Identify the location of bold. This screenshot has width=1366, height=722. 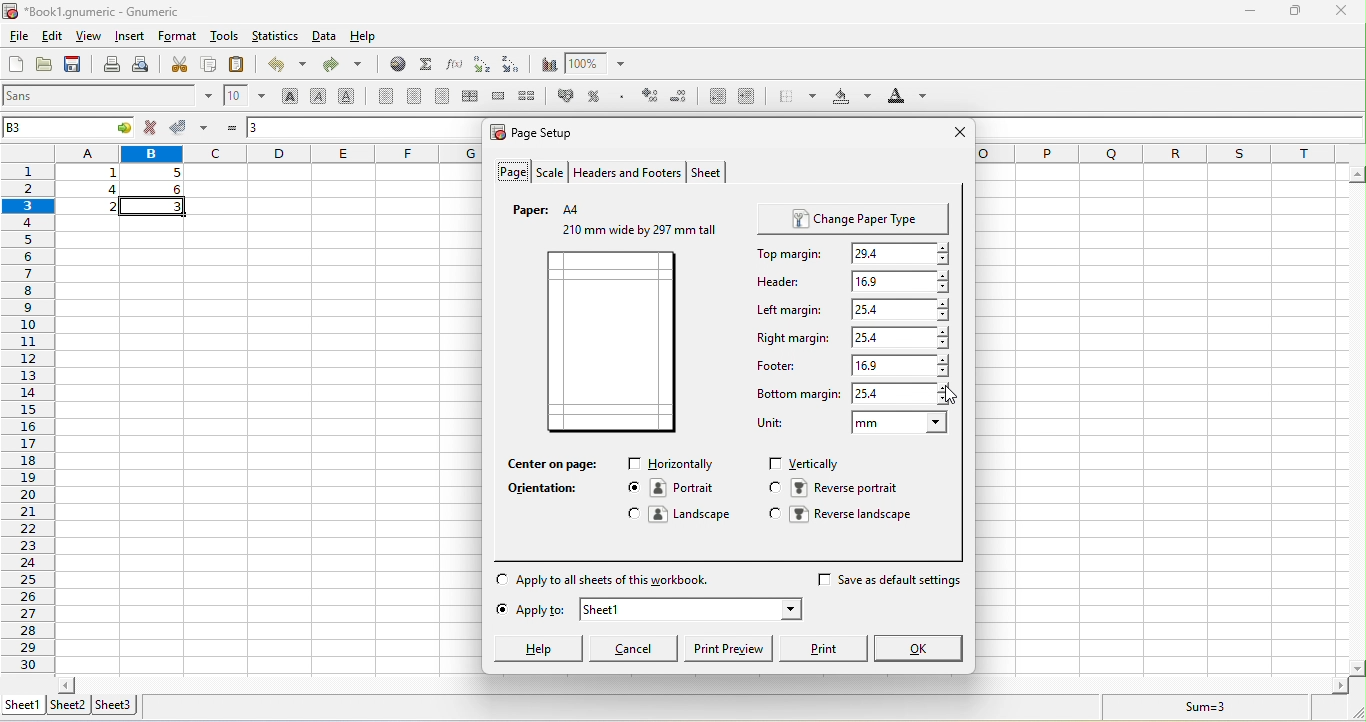
(286, 96).